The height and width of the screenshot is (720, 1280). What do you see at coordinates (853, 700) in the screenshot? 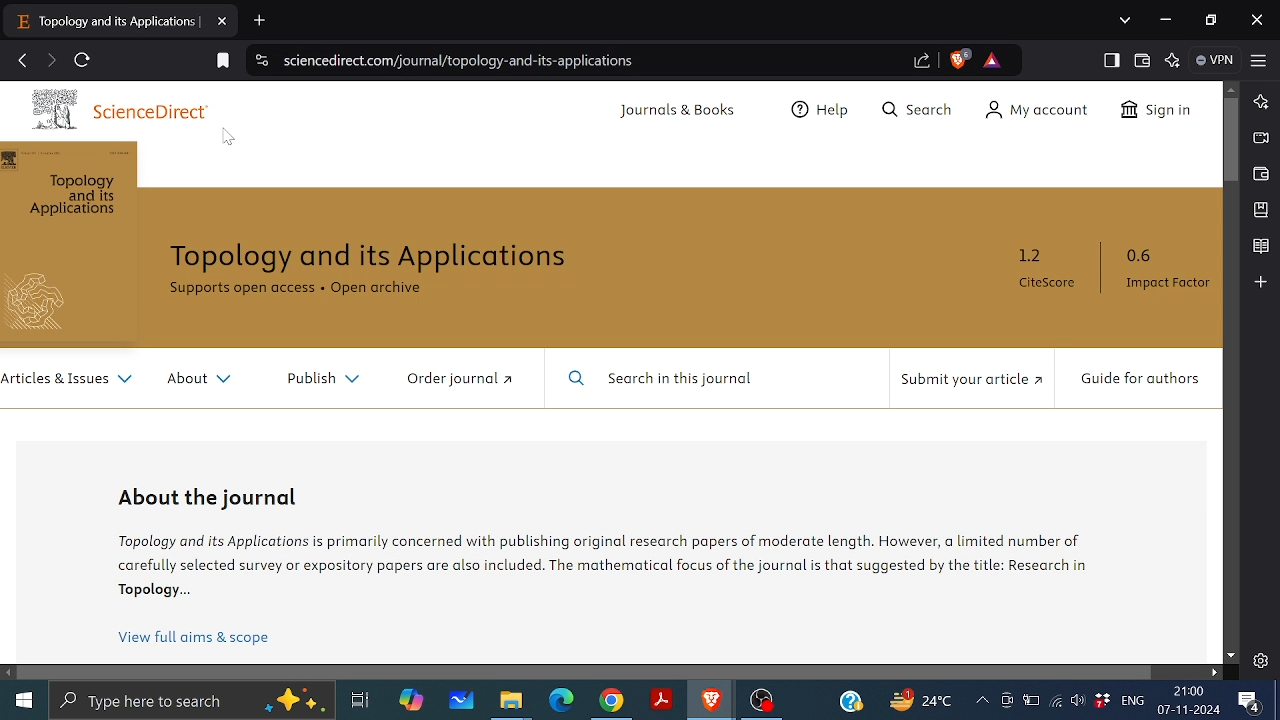
I see `Help` at bounding box center [853, 700].